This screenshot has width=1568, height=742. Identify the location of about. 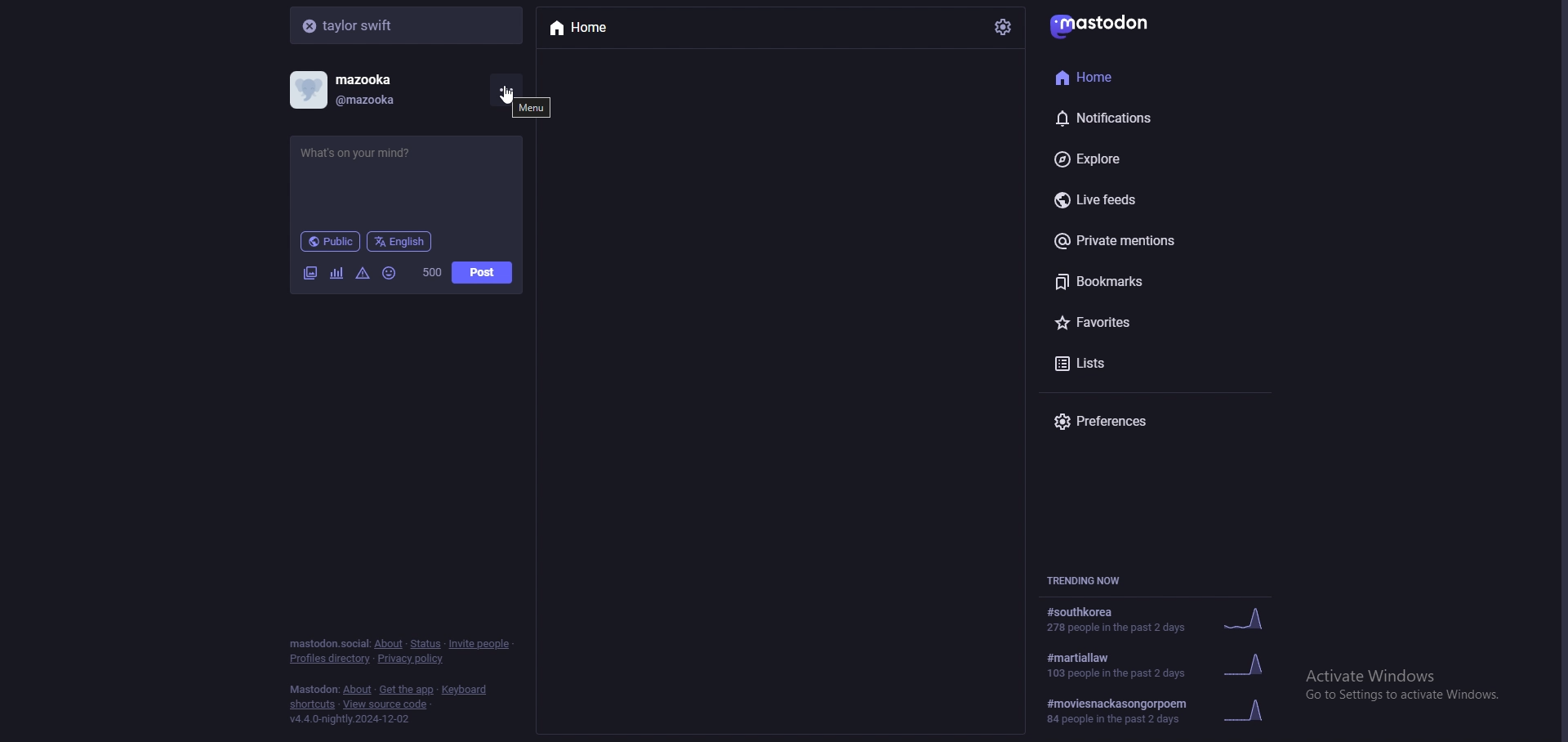
(358, 690).